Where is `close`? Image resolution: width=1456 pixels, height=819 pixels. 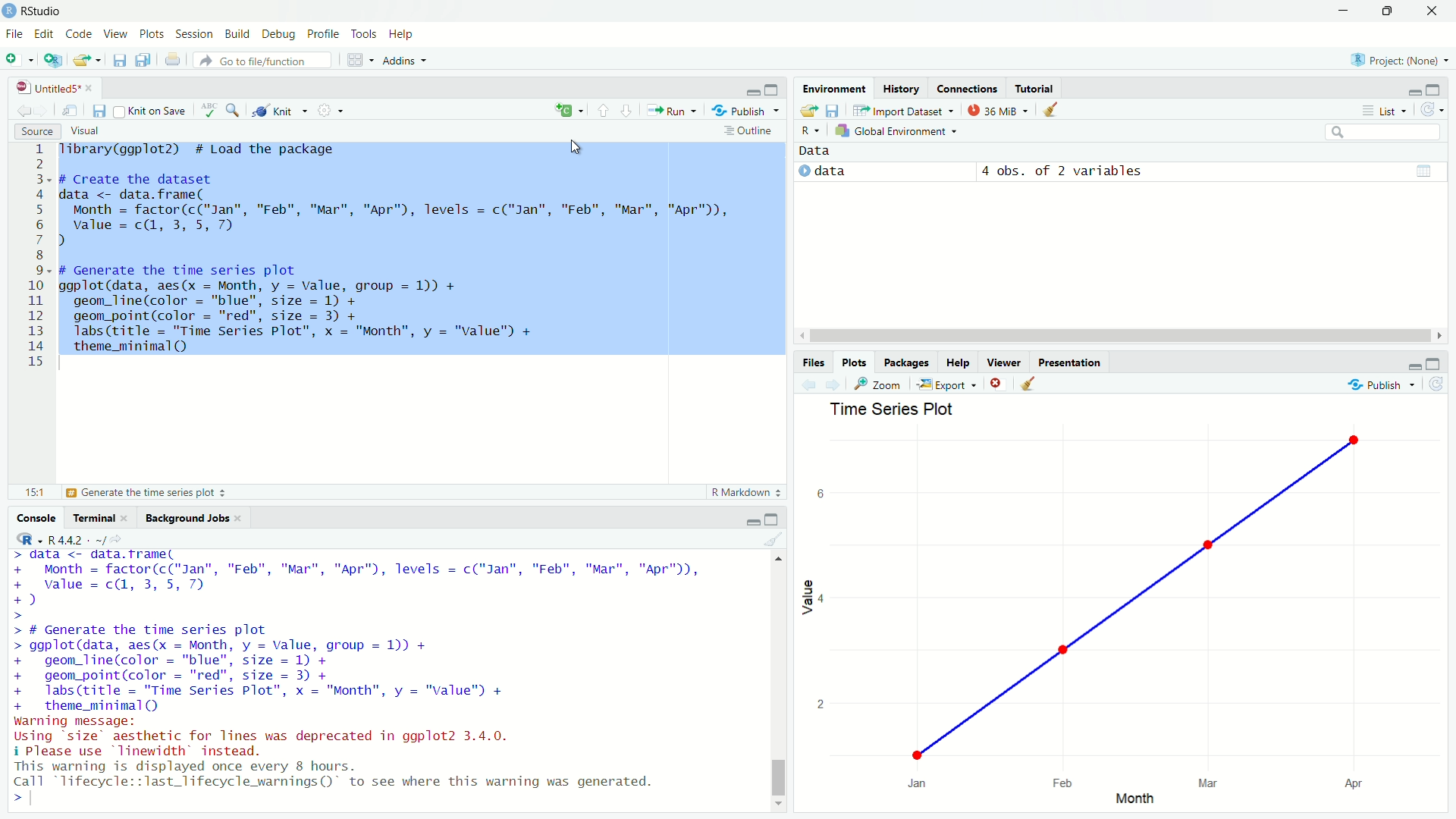 close is located at coordinates (1433, 11).